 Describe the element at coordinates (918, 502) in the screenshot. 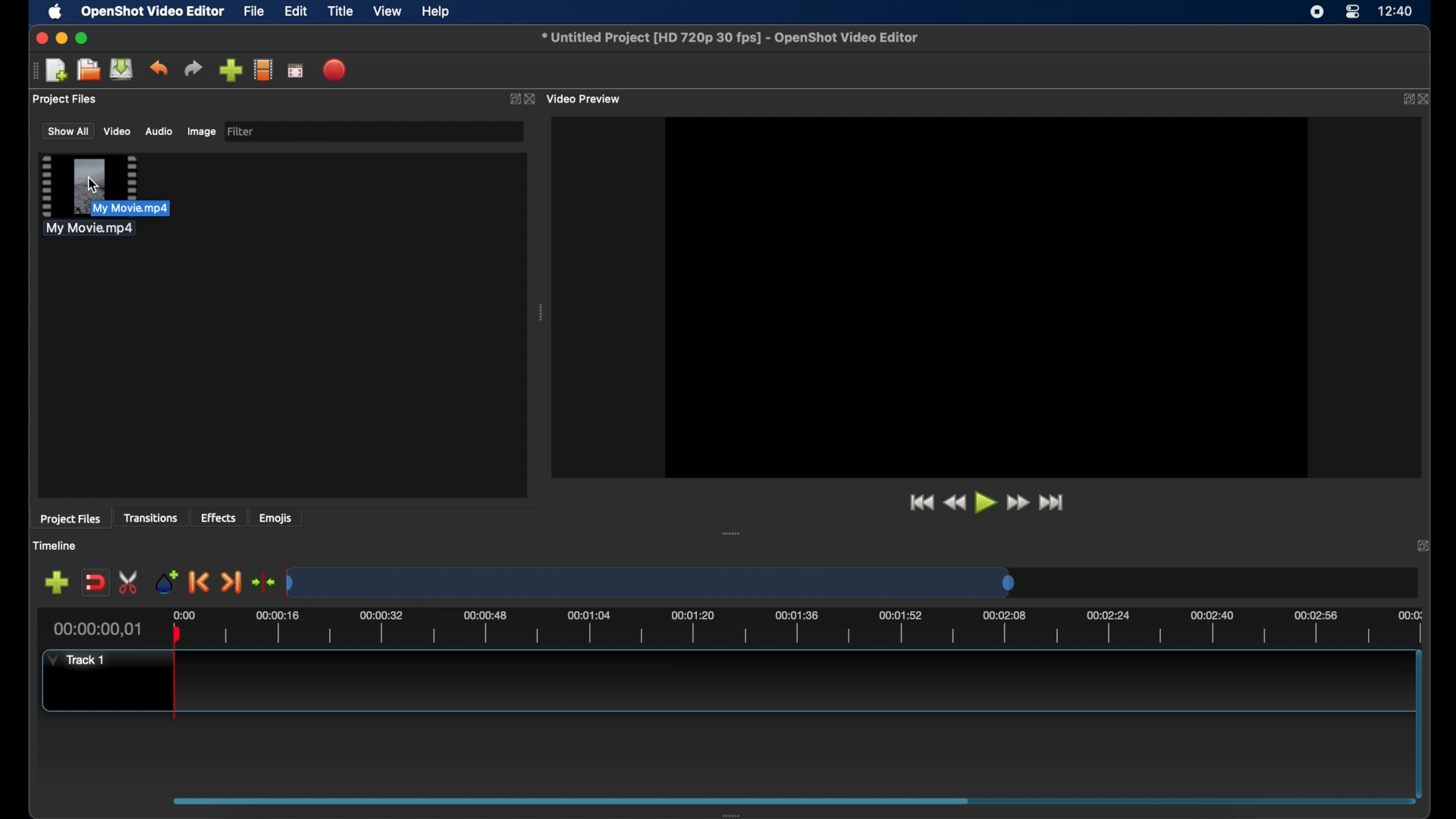

I see `jump to start` at that location.